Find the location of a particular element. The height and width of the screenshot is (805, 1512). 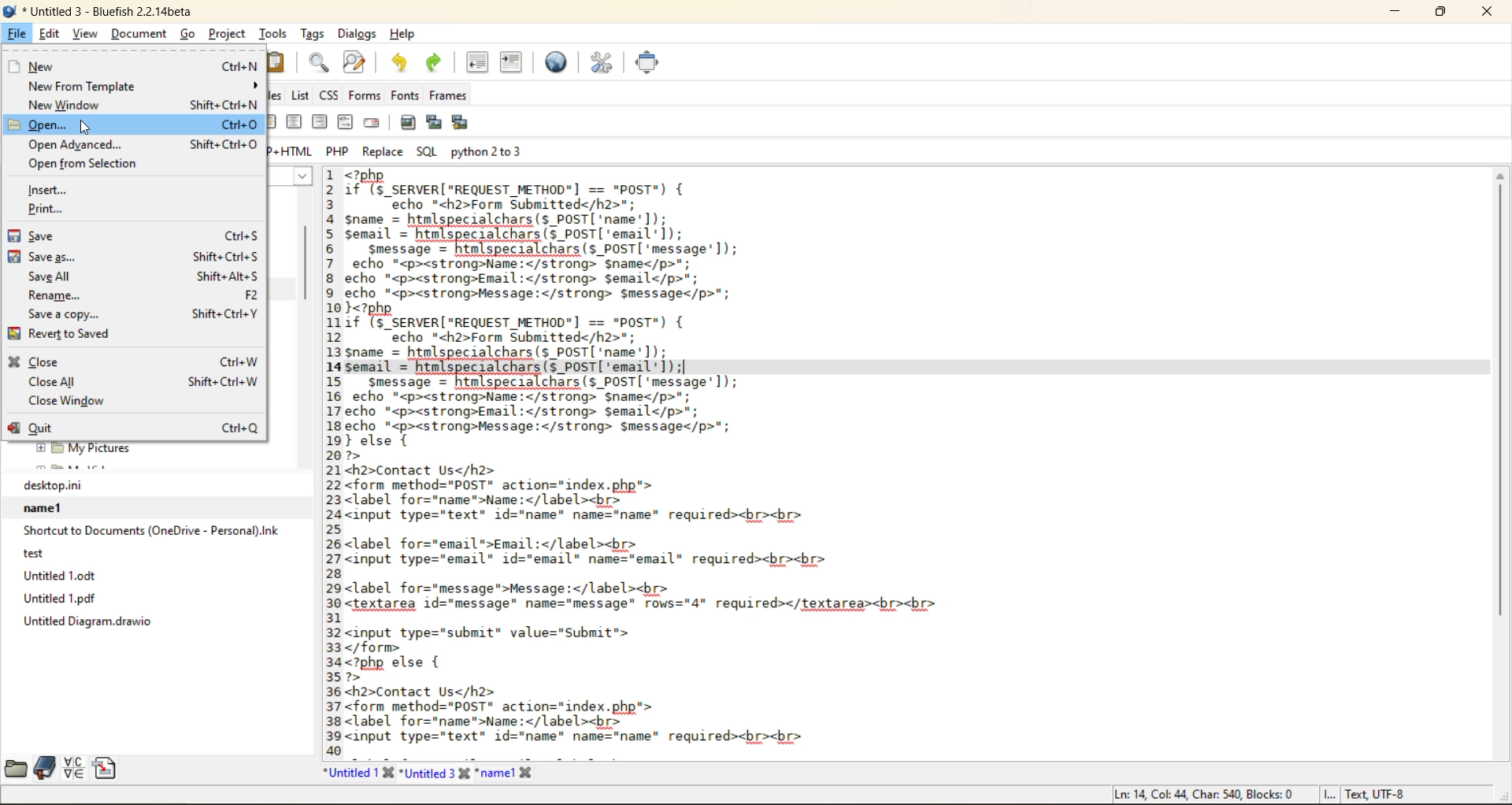

open is located at coordinates (134, 125).